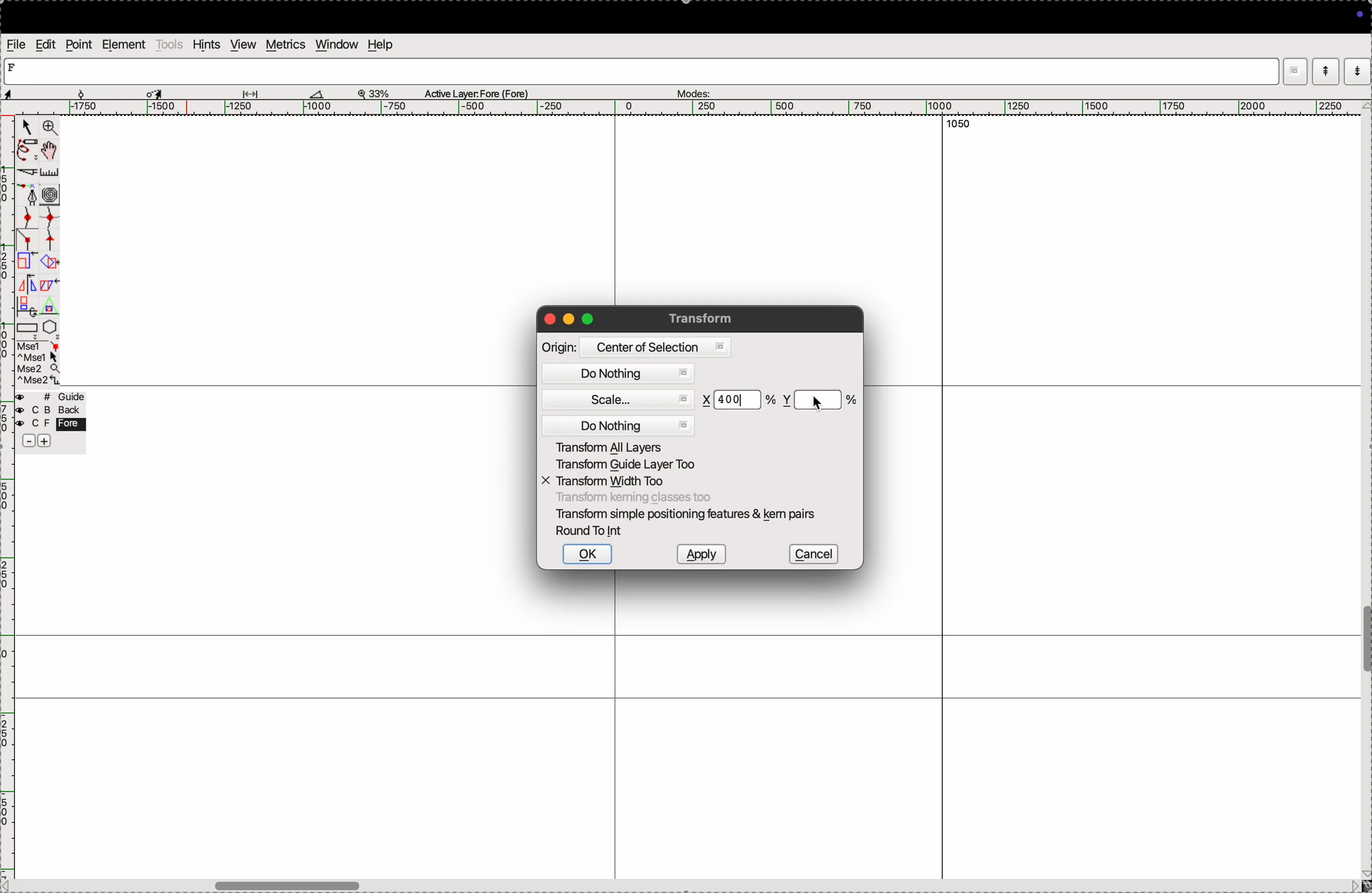 Image resolution: width=1372 pixels, height=893 pixels. Describe the element at coordinates (14, 67) in the screenshot. I see `letter F` at that location.